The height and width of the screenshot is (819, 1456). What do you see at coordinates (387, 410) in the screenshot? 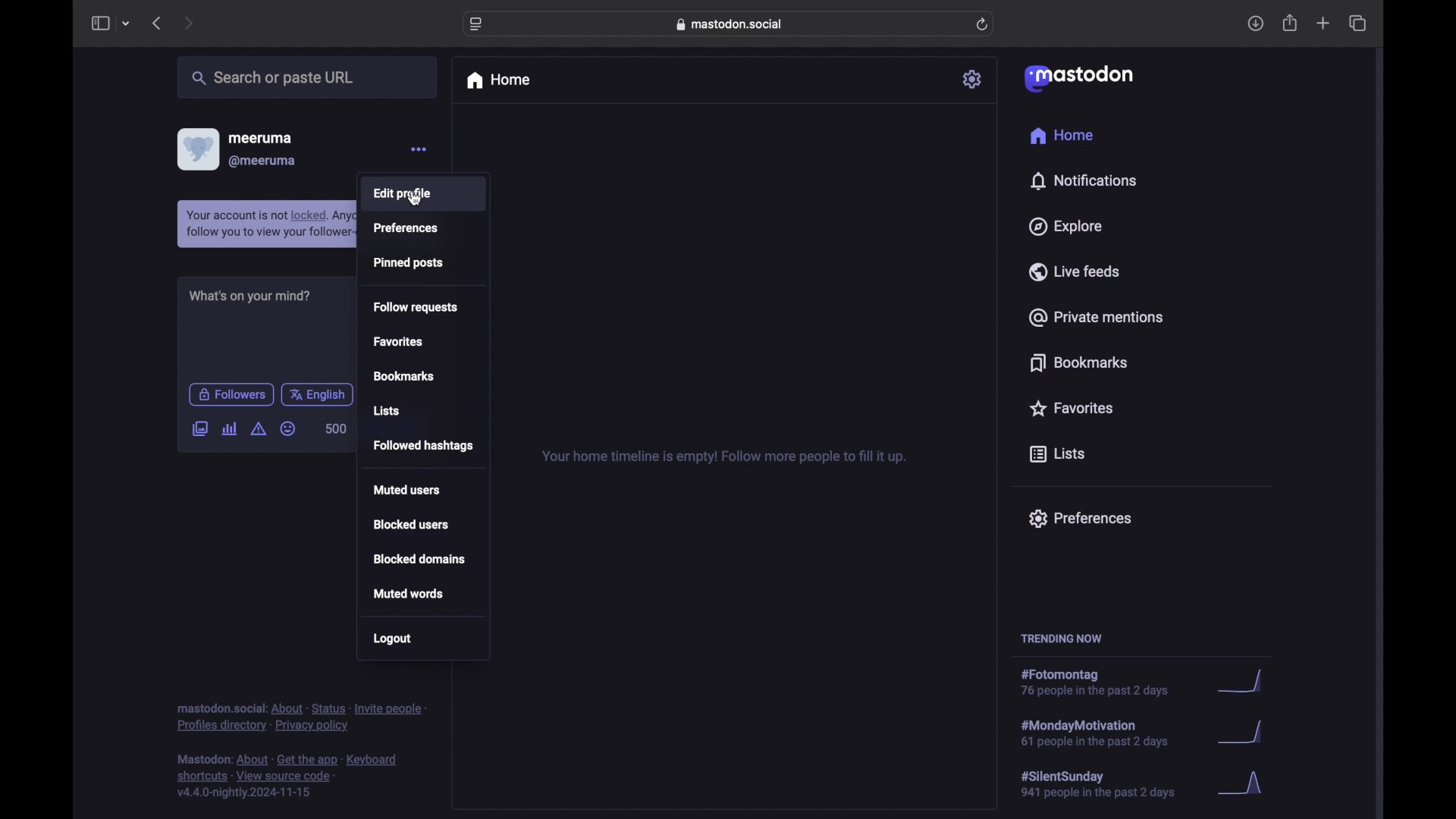
I see `lists` at bounding box center [387, 410].